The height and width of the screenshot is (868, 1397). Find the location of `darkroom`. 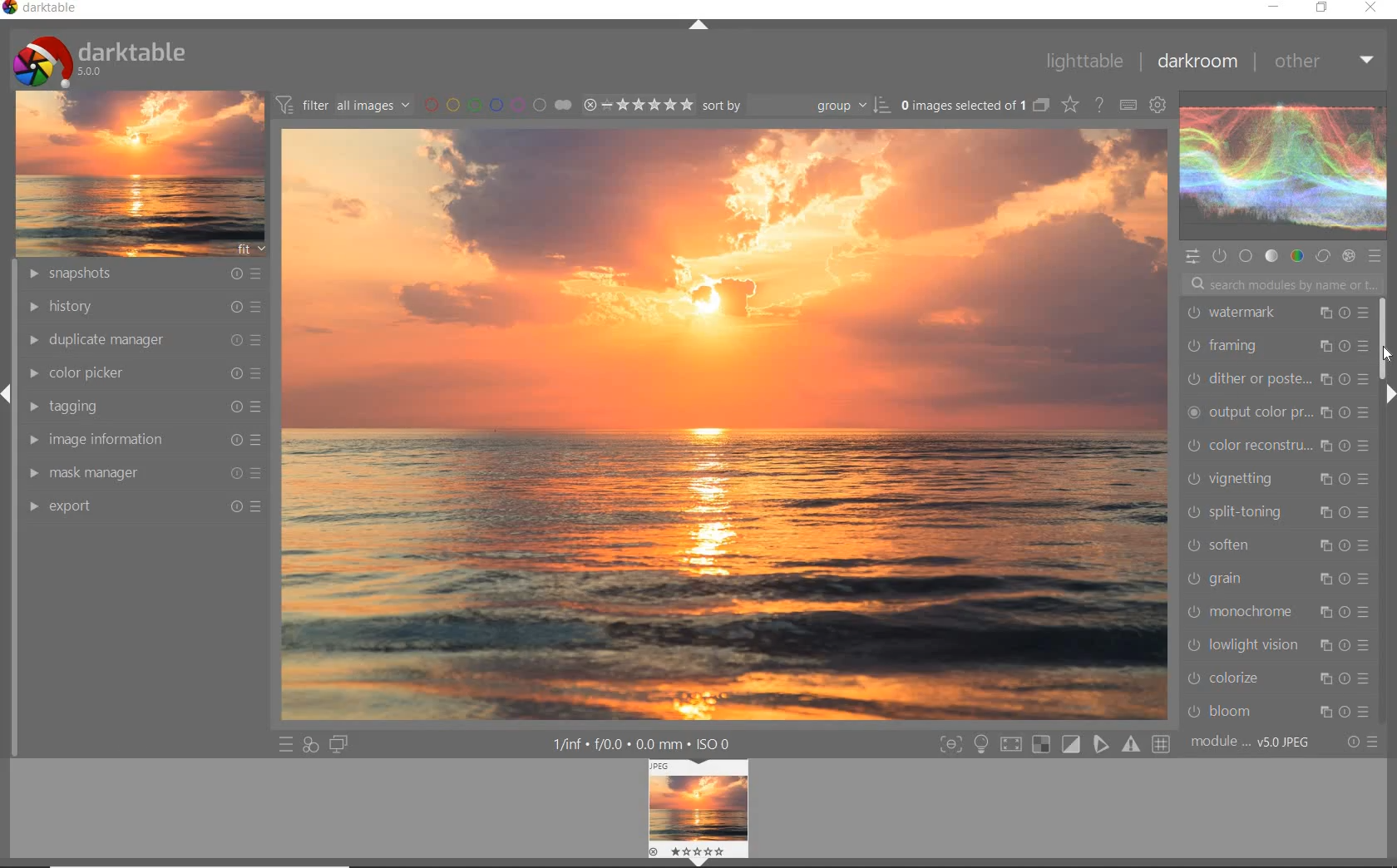

darkroom is located at coordinates (1201, 62).